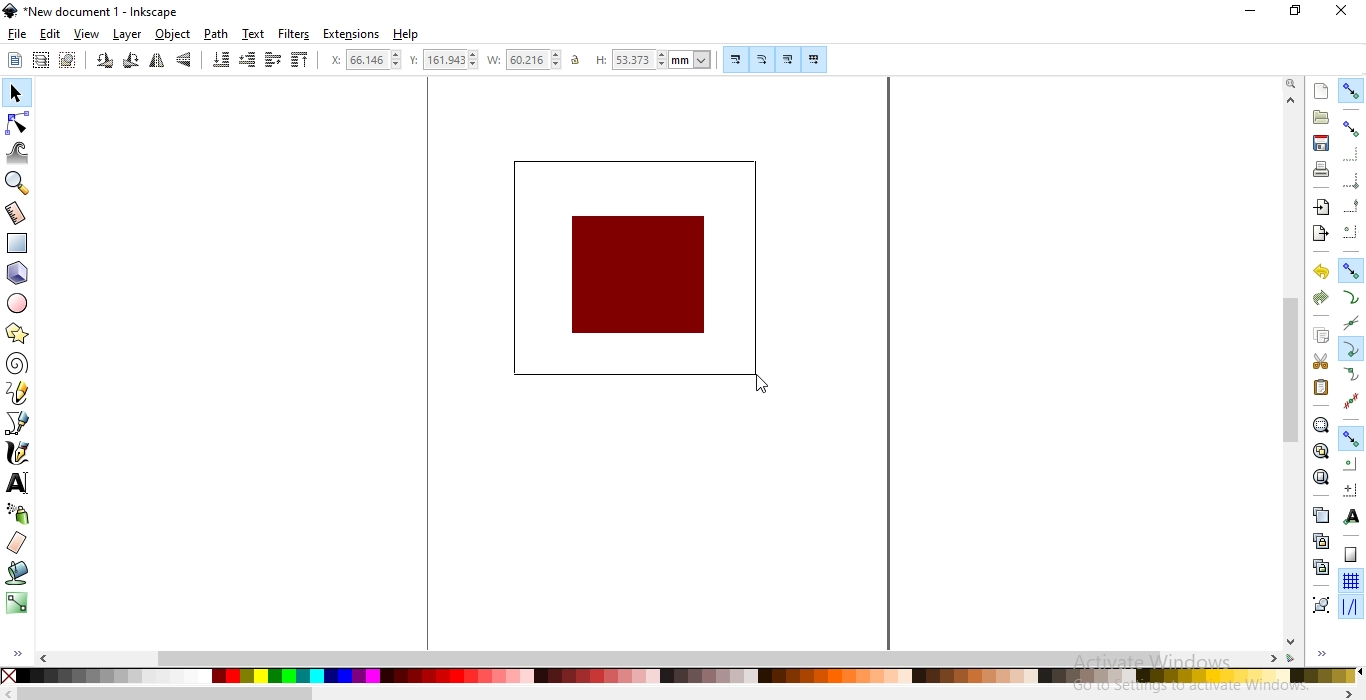 The width and height of the screenshot is (1366, 700). Describe the element at coordinates (166, 693) in the screenshot. I see `` at that location.